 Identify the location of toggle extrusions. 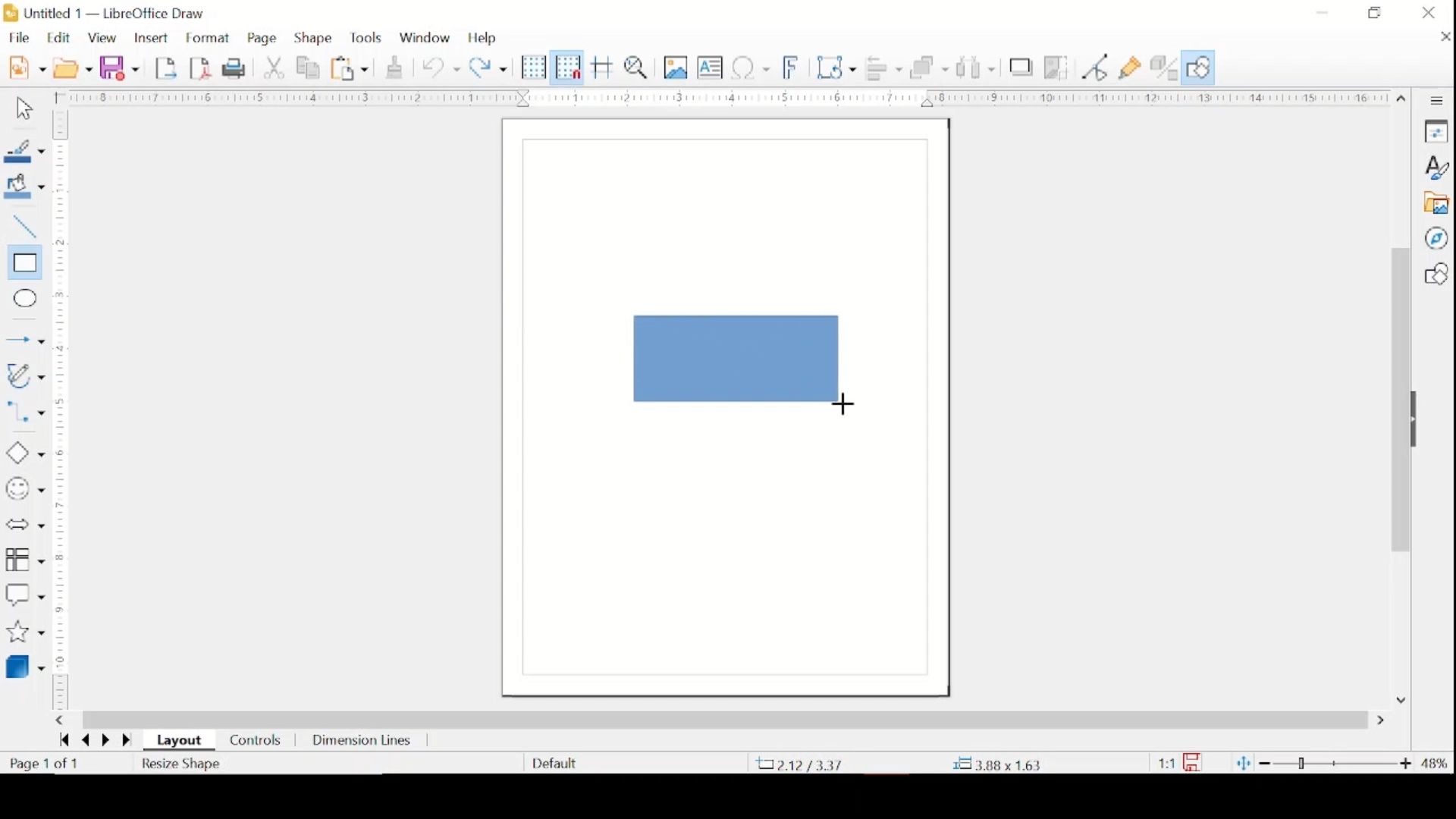
(1164, 69).